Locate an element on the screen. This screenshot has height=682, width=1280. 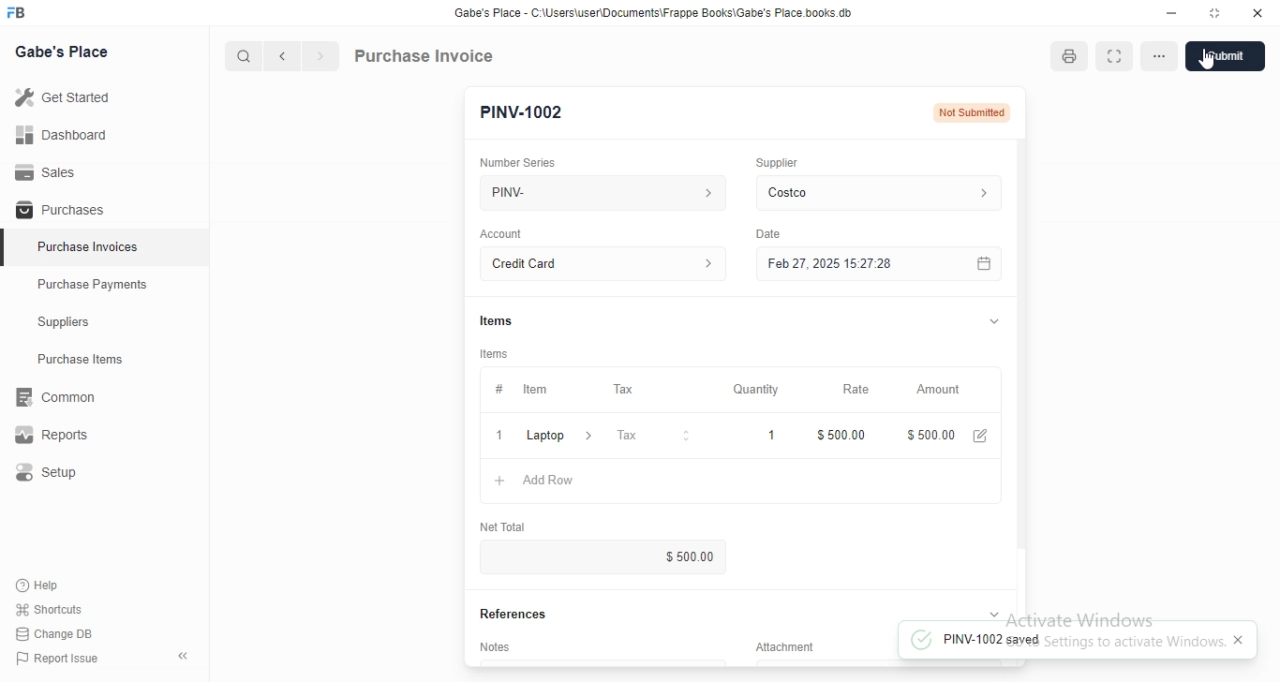
PINV-1002 is located at coordinates (522, 113).